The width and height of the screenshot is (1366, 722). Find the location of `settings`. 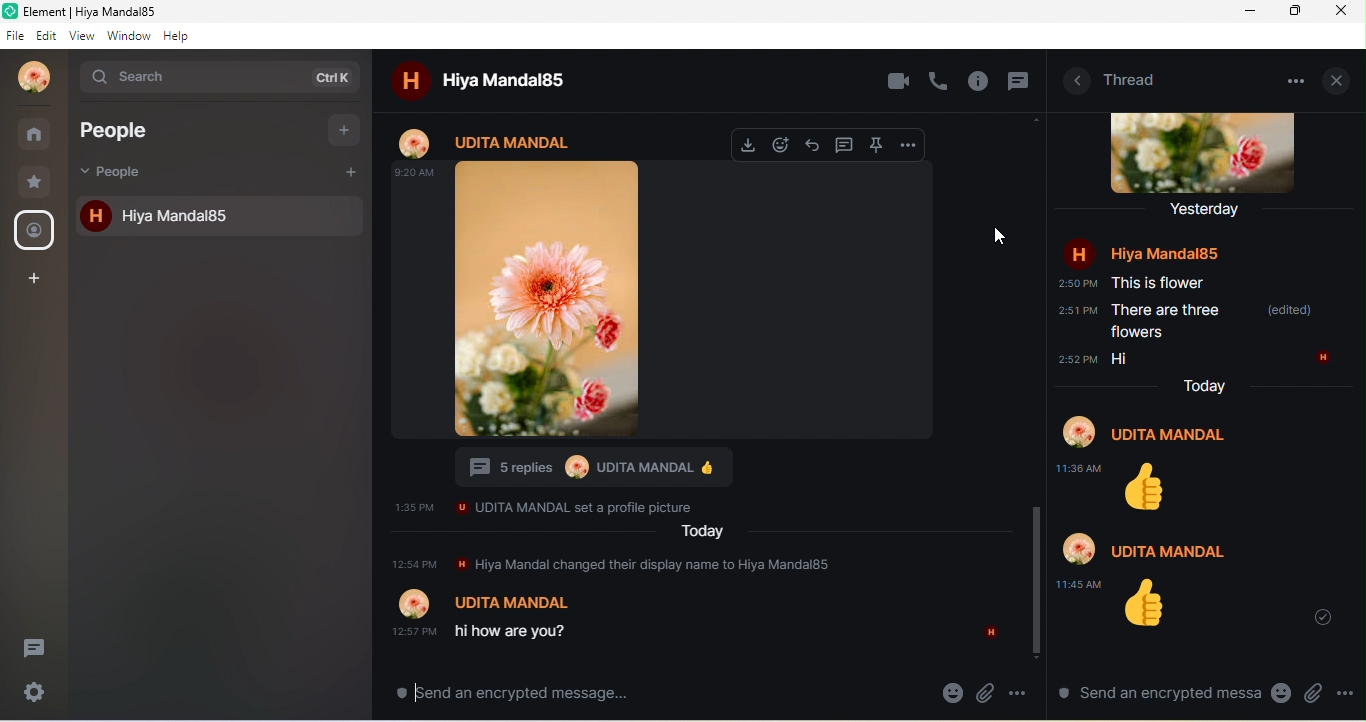

settings is located at coordinates (35, 694).